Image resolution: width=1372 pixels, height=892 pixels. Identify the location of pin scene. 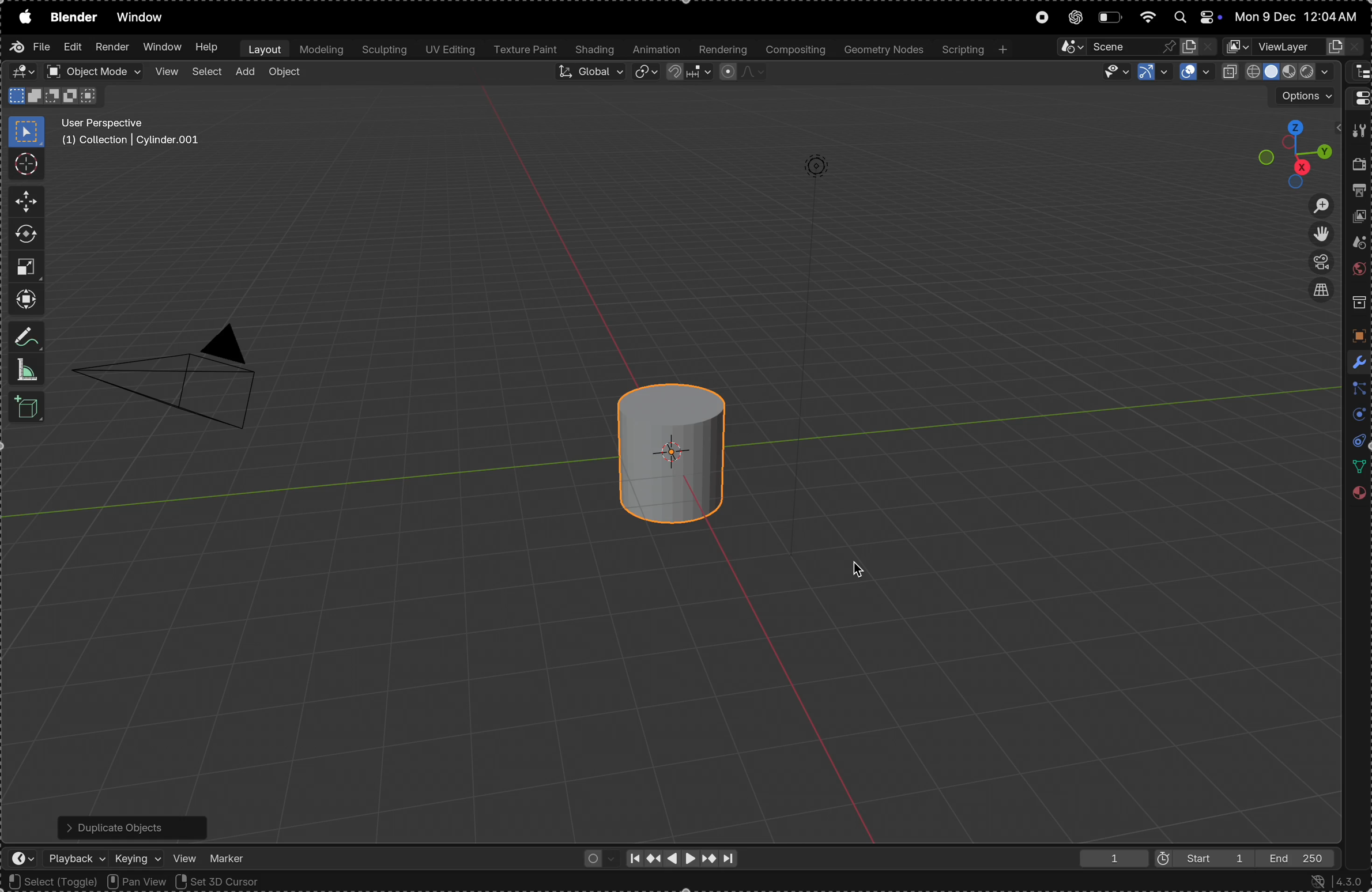
(1113, 46).